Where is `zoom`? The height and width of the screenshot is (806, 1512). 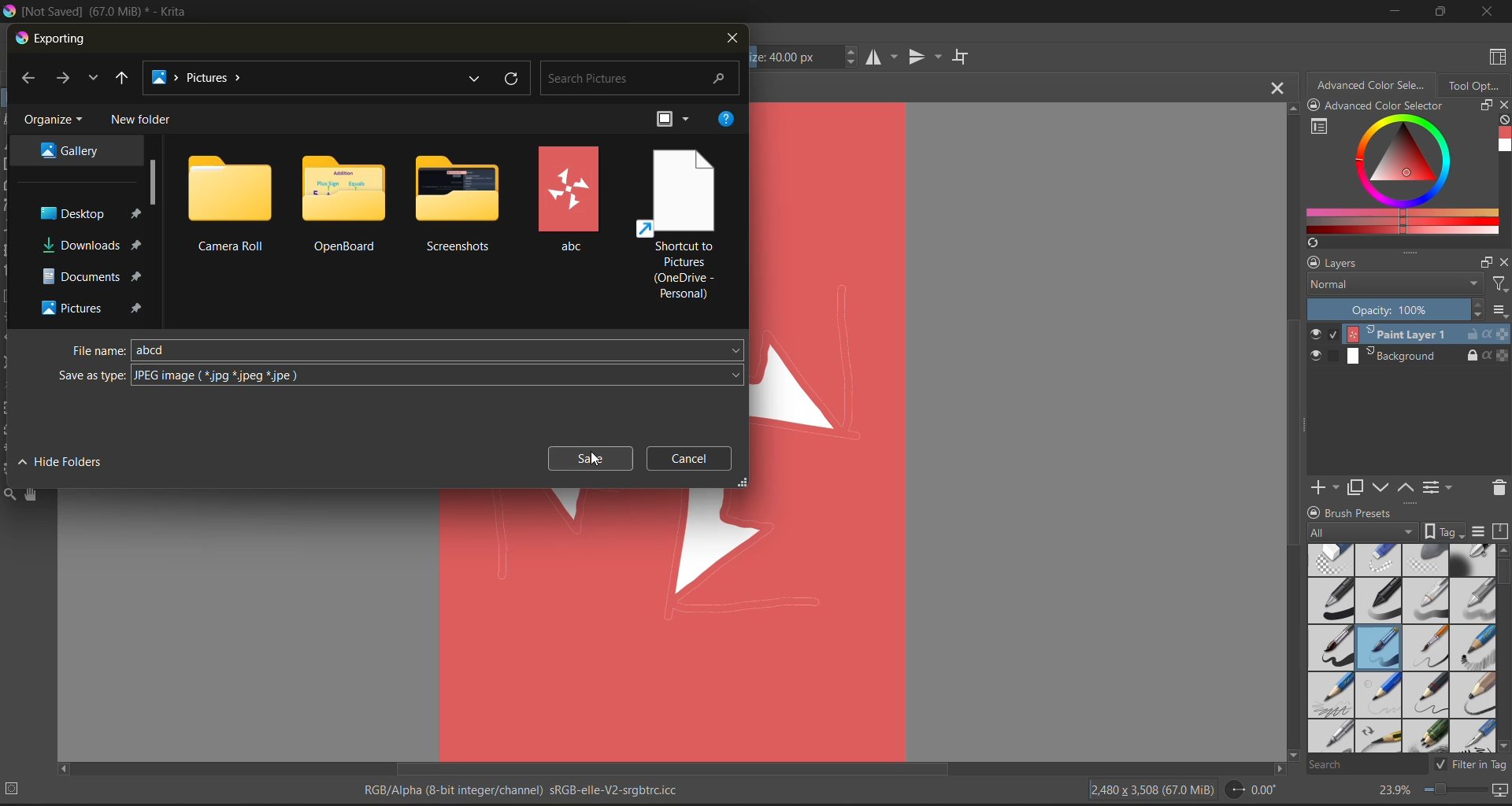
zoom is located at coordinates (1458, 791).